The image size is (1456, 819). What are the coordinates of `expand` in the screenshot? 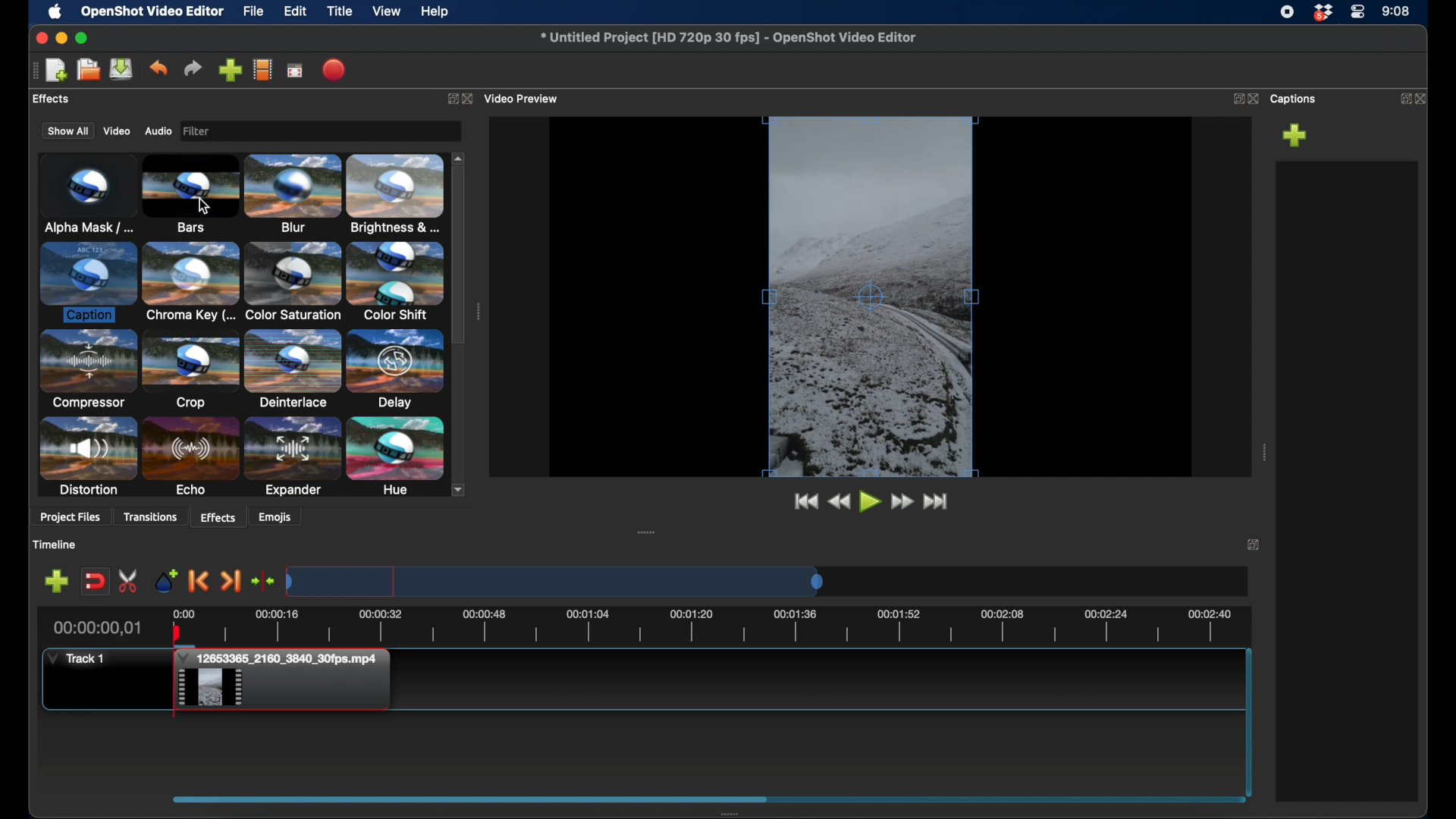 It's located at (1401, 98).